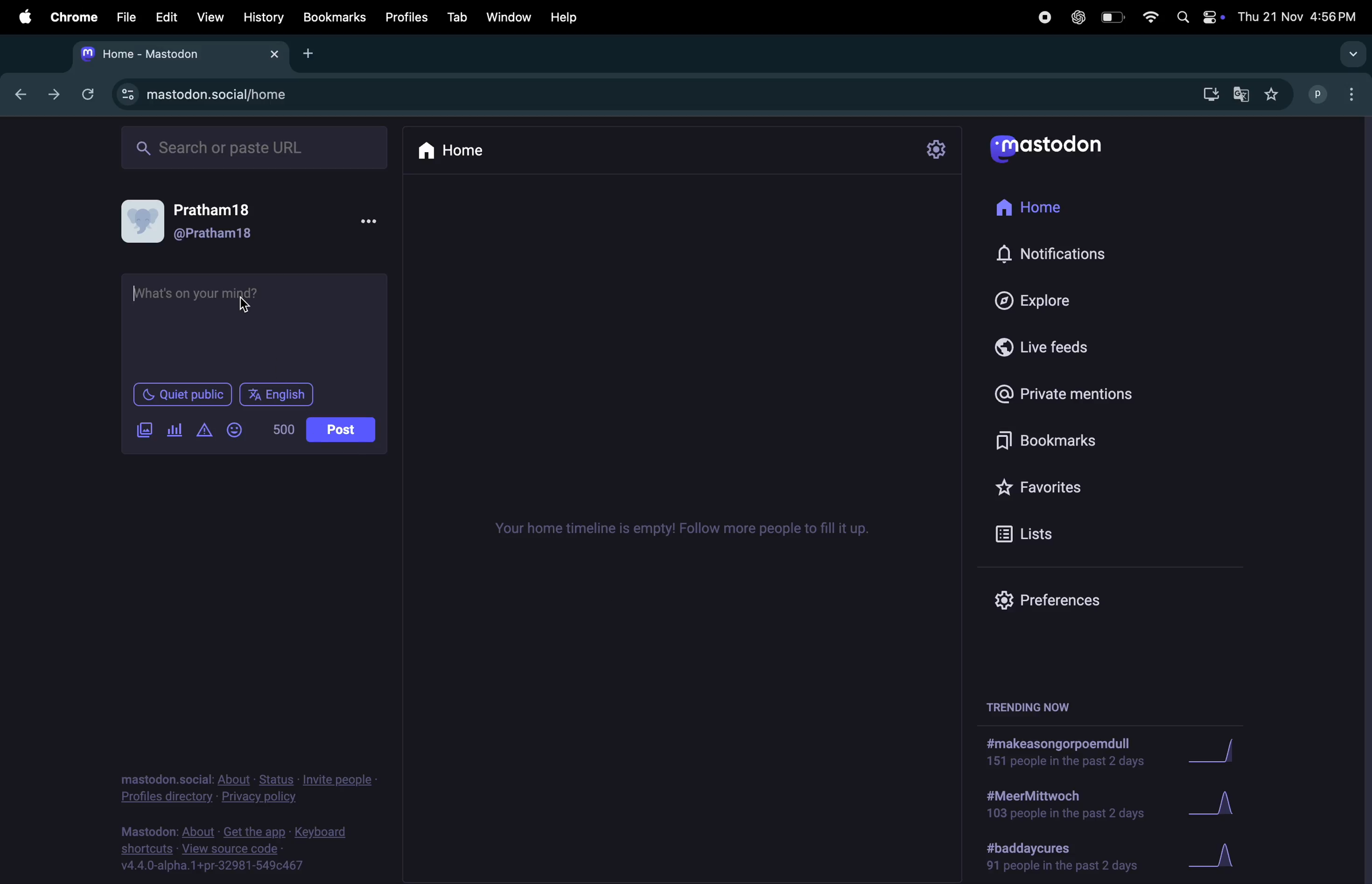 This screenshot has width=1372, height=884. What do you see at coordinates (1276, 94) in the screenshot?
I see `favouited` at bounding box center [1276, 94].